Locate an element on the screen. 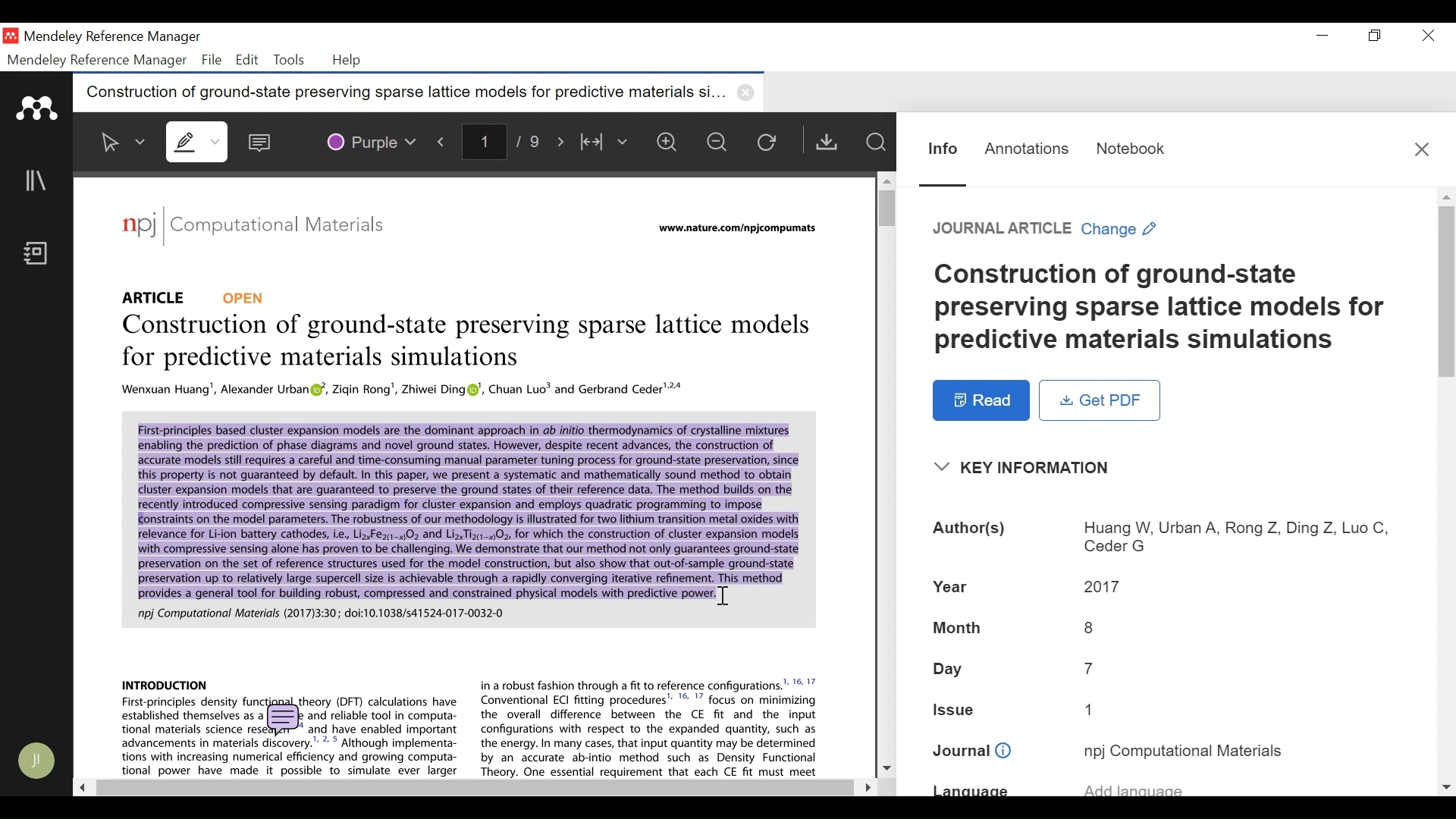 The height and width of the screenshot is (819, 1456). Tools is located at coordinates (287, 60).